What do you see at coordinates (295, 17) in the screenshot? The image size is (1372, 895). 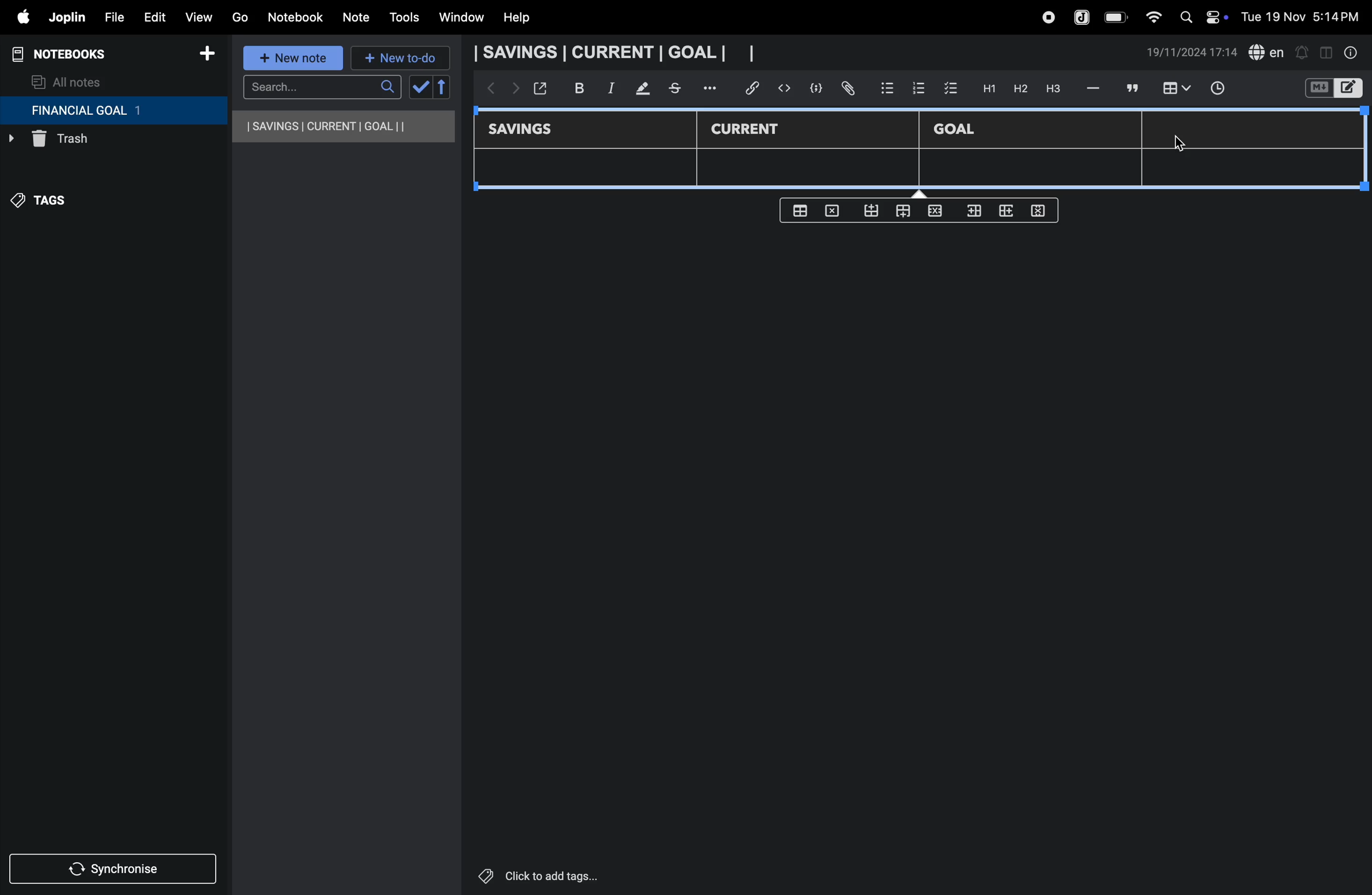 I see `notebook` at bounding box center [295, 17].